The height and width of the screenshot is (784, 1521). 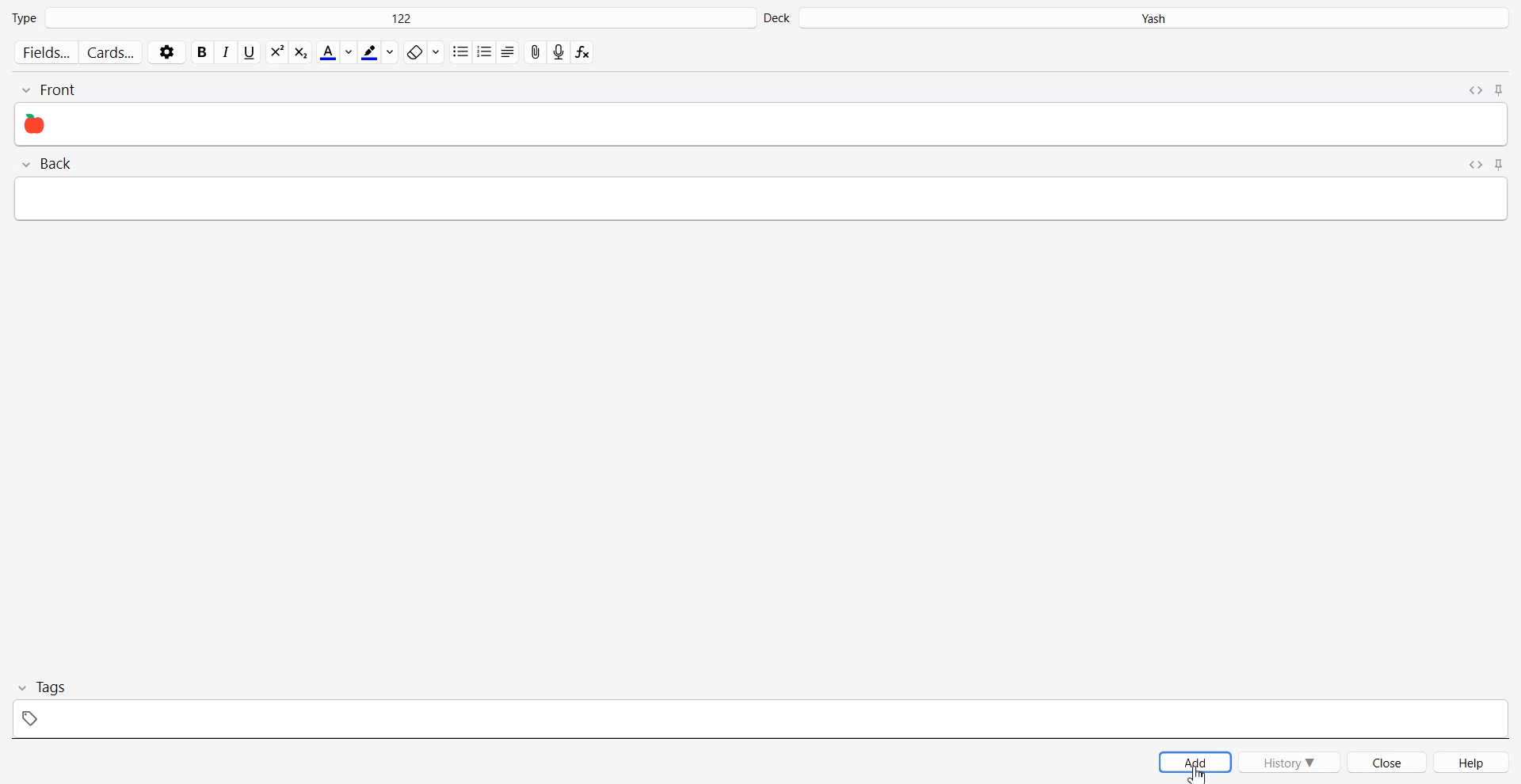 What do you see at coordinates (421, 52) in the screenshot?
I see `Erase Format` at bounding box center [421, 52].